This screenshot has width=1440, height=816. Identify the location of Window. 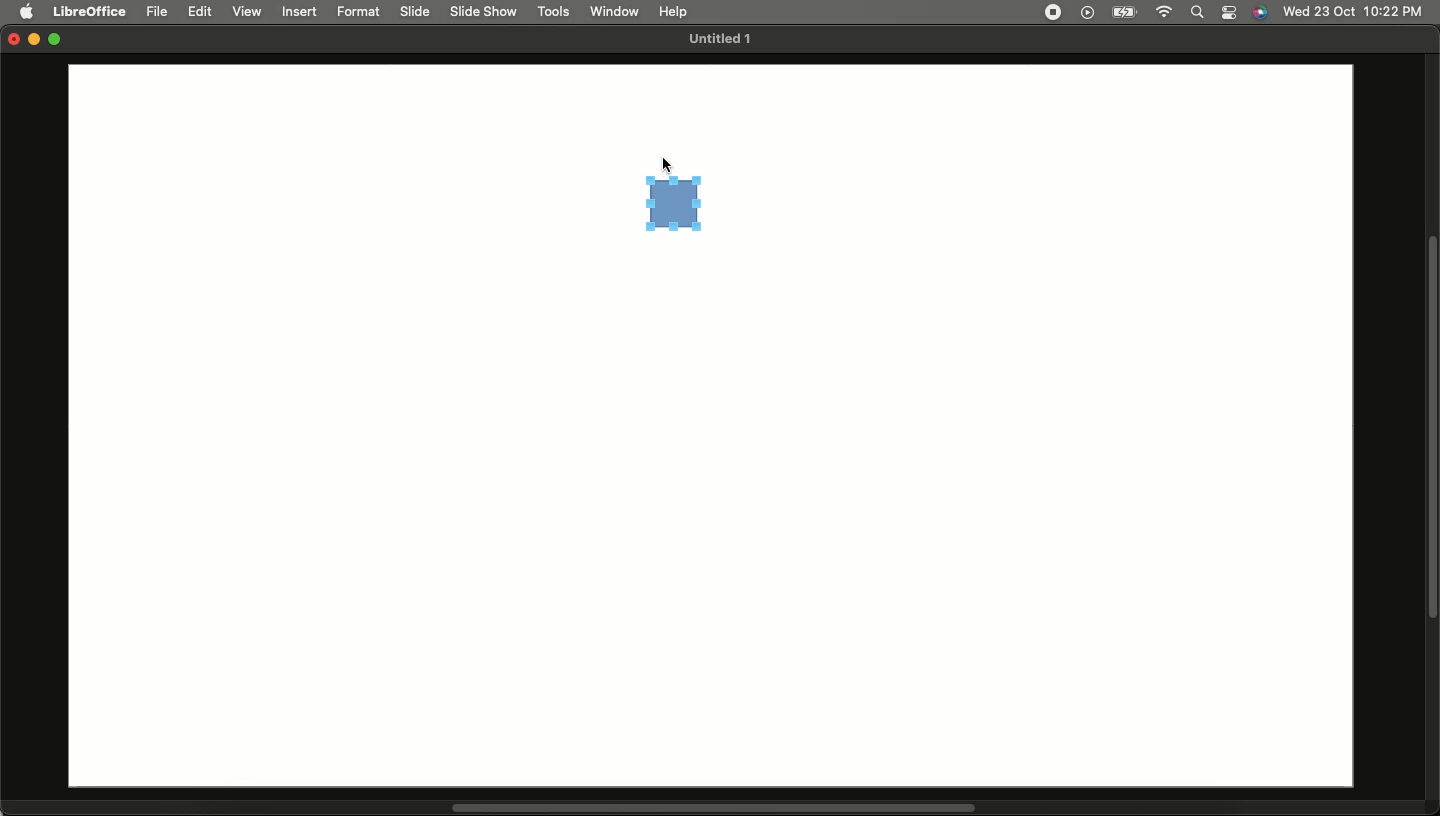
(616, 11).